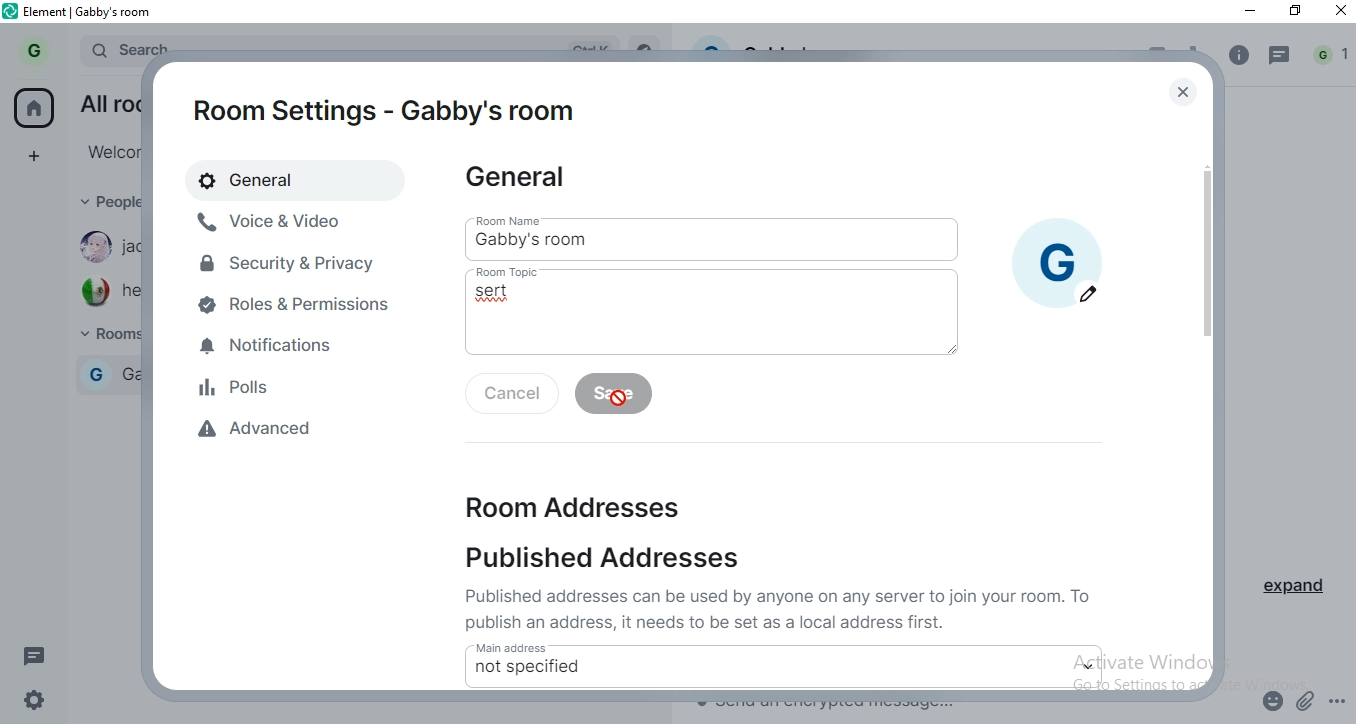 The image size is (1356, 724). I want to click on all rooms, so click(106, 101).